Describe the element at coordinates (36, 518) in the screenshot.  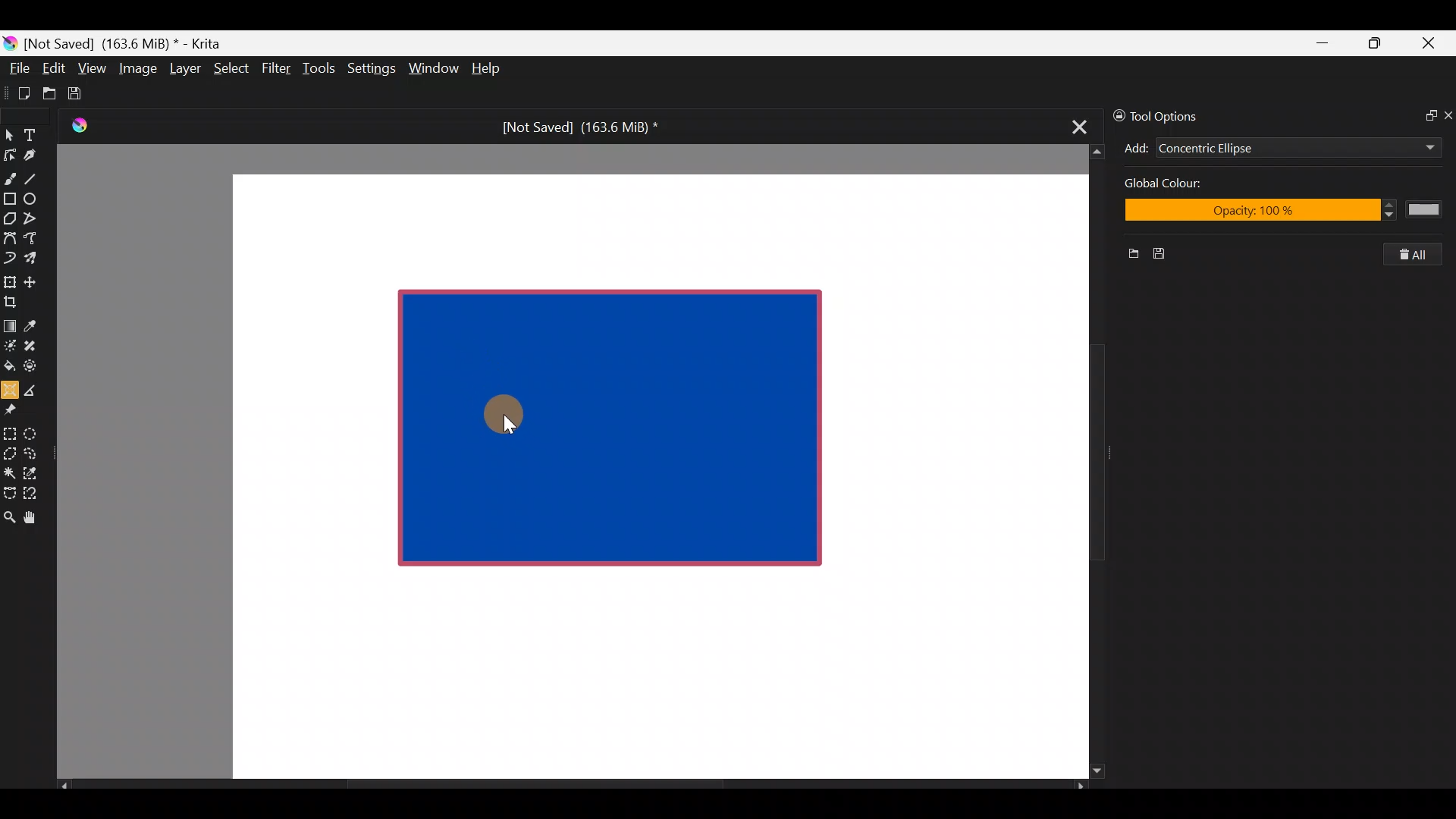
I see `Pan tool` at that location.